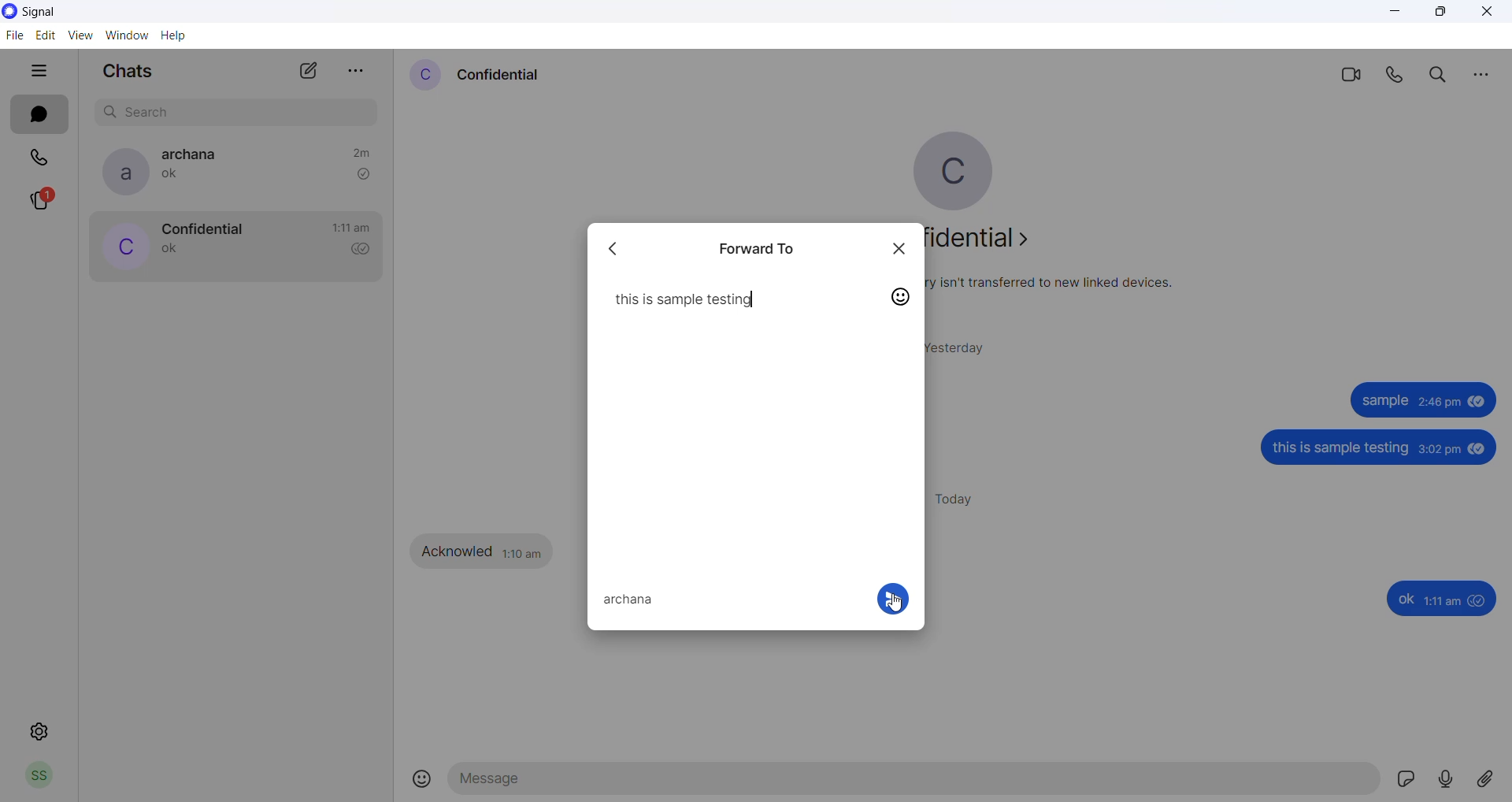 The width and height of the screenshot is (1512, 802). Describe the element at coordinates (42, 155) in the screenshot. I see `calls` at that location.